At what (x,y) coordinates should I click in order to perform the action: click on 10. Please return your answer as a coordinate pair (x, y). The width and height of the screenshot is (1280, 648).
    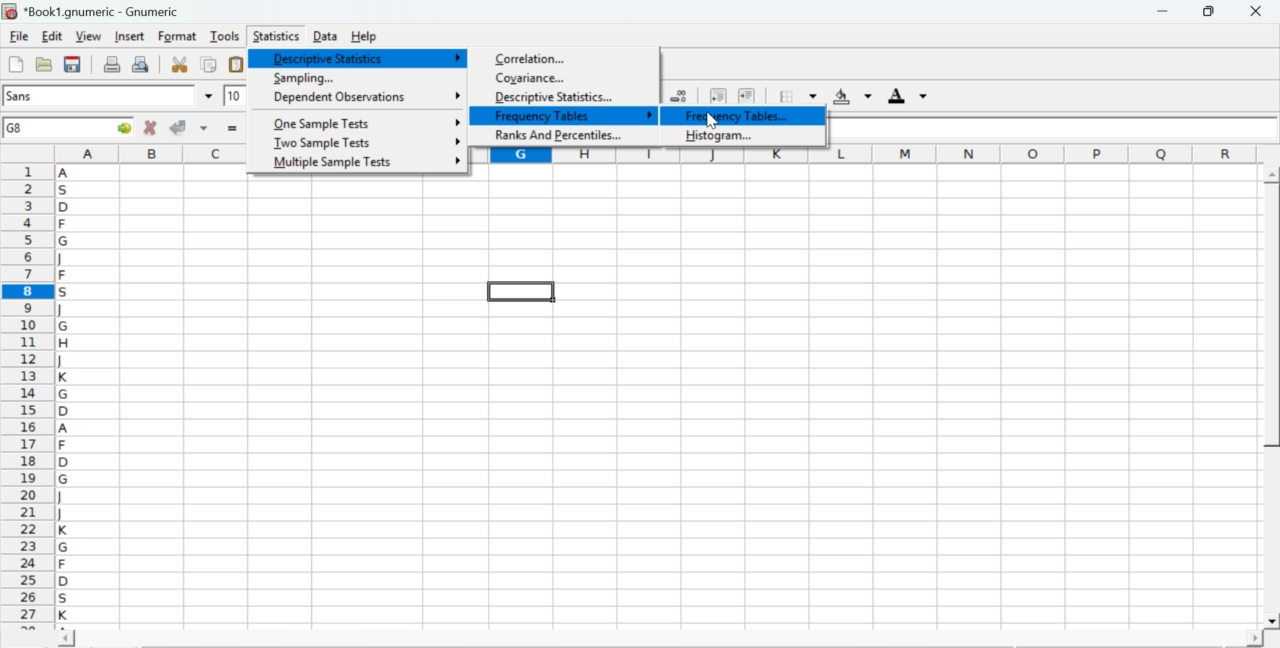
    Looking at the image, I should click on (235, 96).